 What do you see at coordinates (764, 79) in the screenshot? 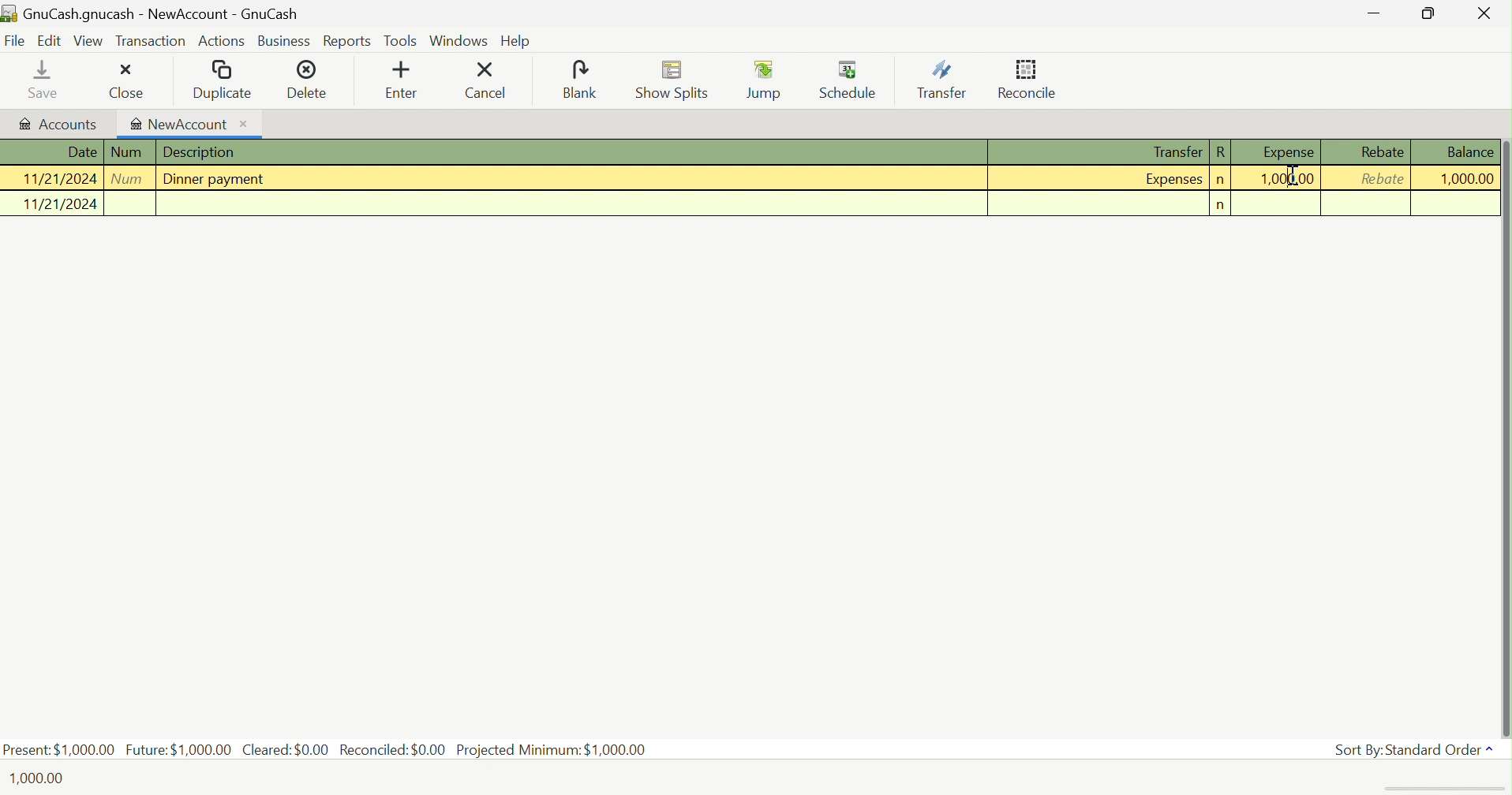
I see `Jump` at bounding box center [764, 79].